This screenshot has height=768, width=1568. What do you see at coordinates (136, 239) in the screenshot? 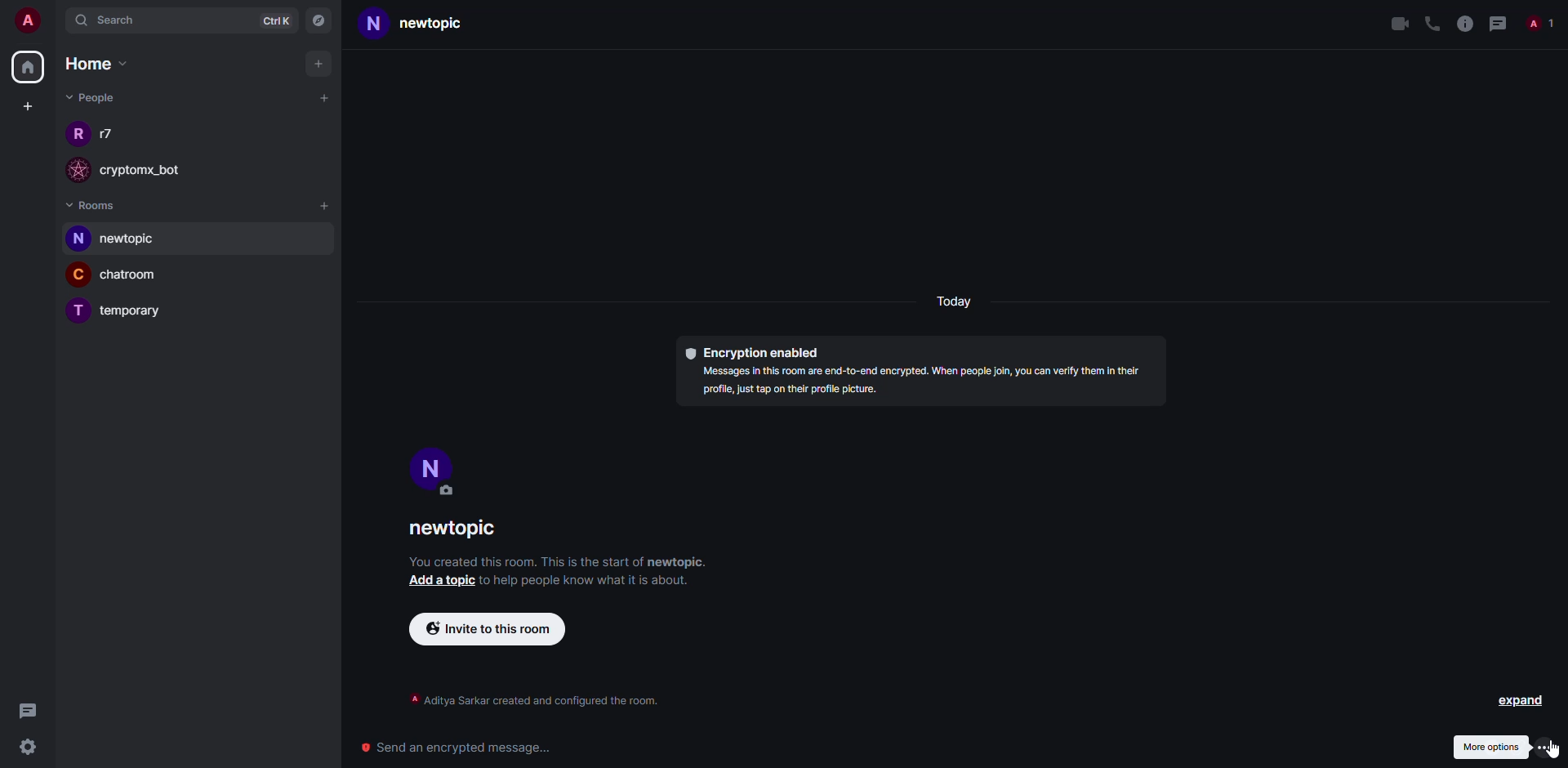
I see `room` at bounding box center [136, 239].